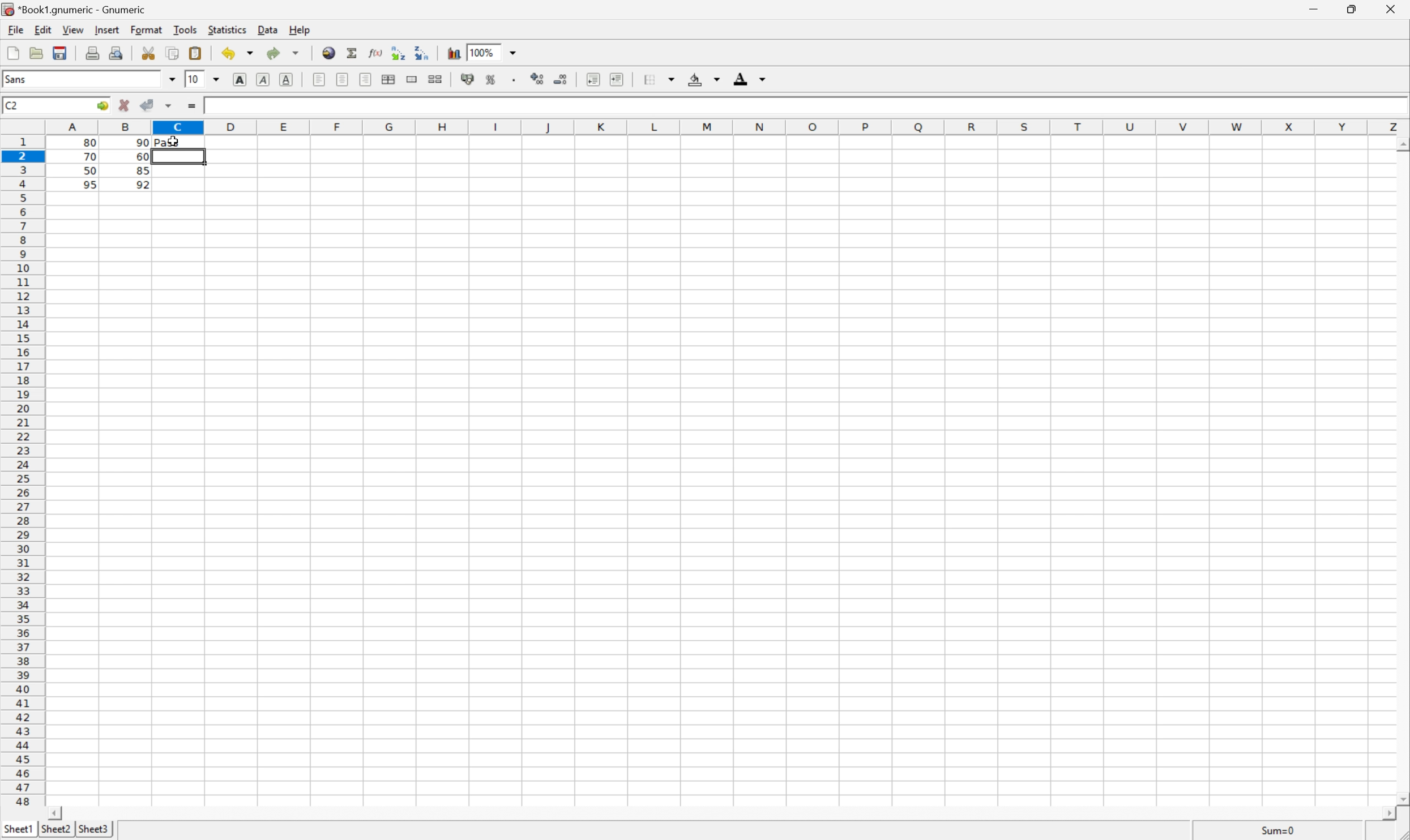 The width and height of the screenshot is (1410, 840). Describe the element at coordinates (413, 79) in the screenshot. I see `Merge ranges of cells` at that location.